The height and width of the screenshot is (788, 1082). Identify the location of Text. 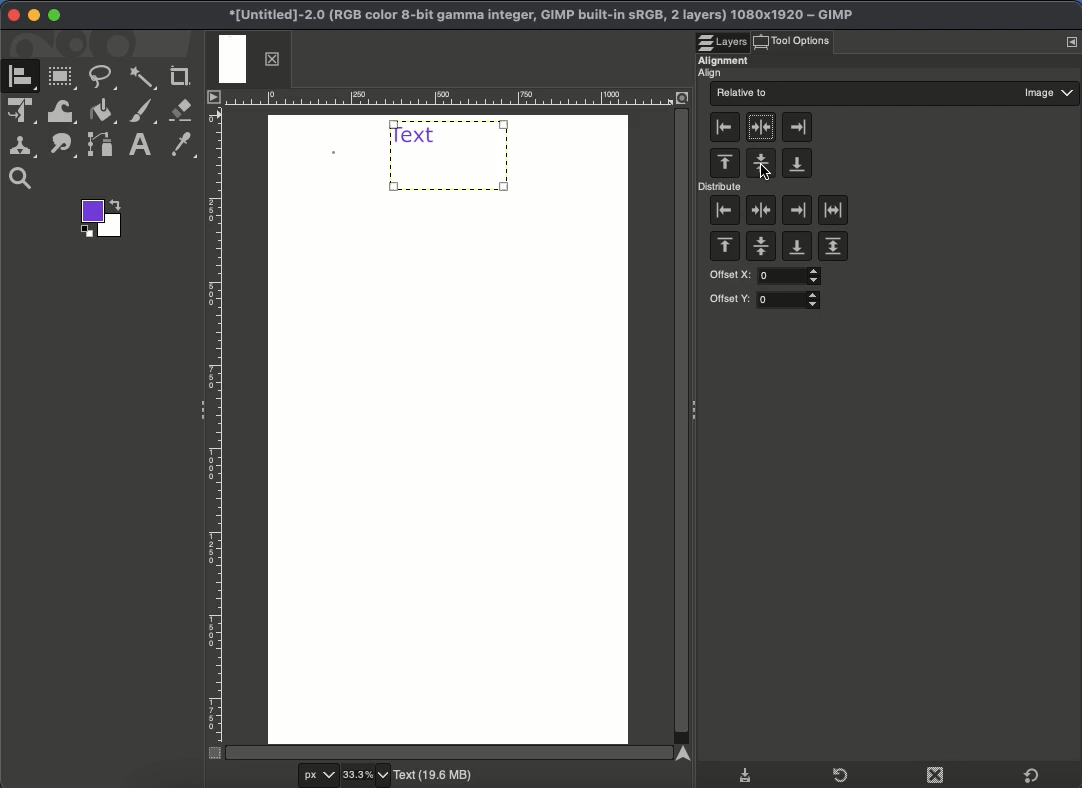
(140, 146).